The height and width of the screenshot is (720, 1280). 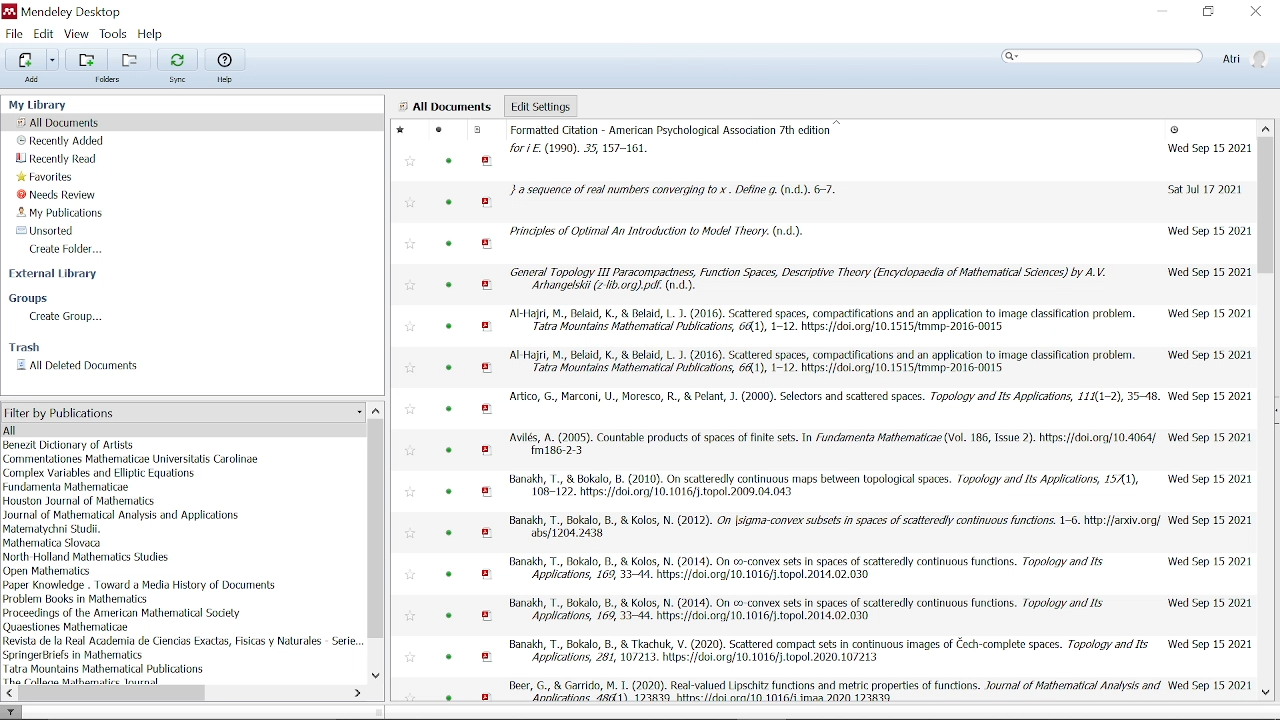 I want to click on status, so click(x=449, y=492).